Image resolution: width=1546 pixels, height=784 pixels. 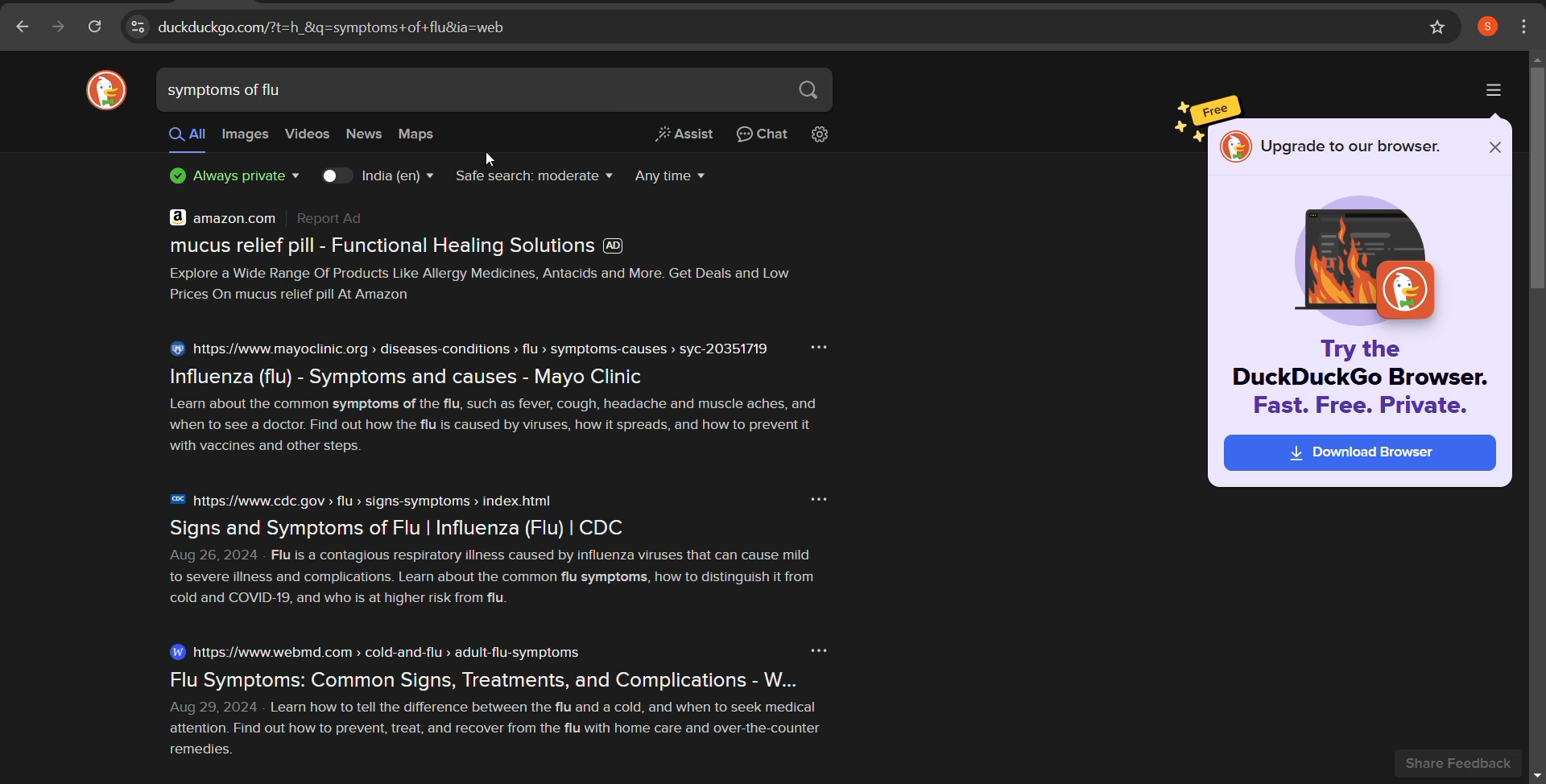 What do you see at coordinates (814, 500) in the screenshot?
I see `more option` at bounding box center [814, 500].